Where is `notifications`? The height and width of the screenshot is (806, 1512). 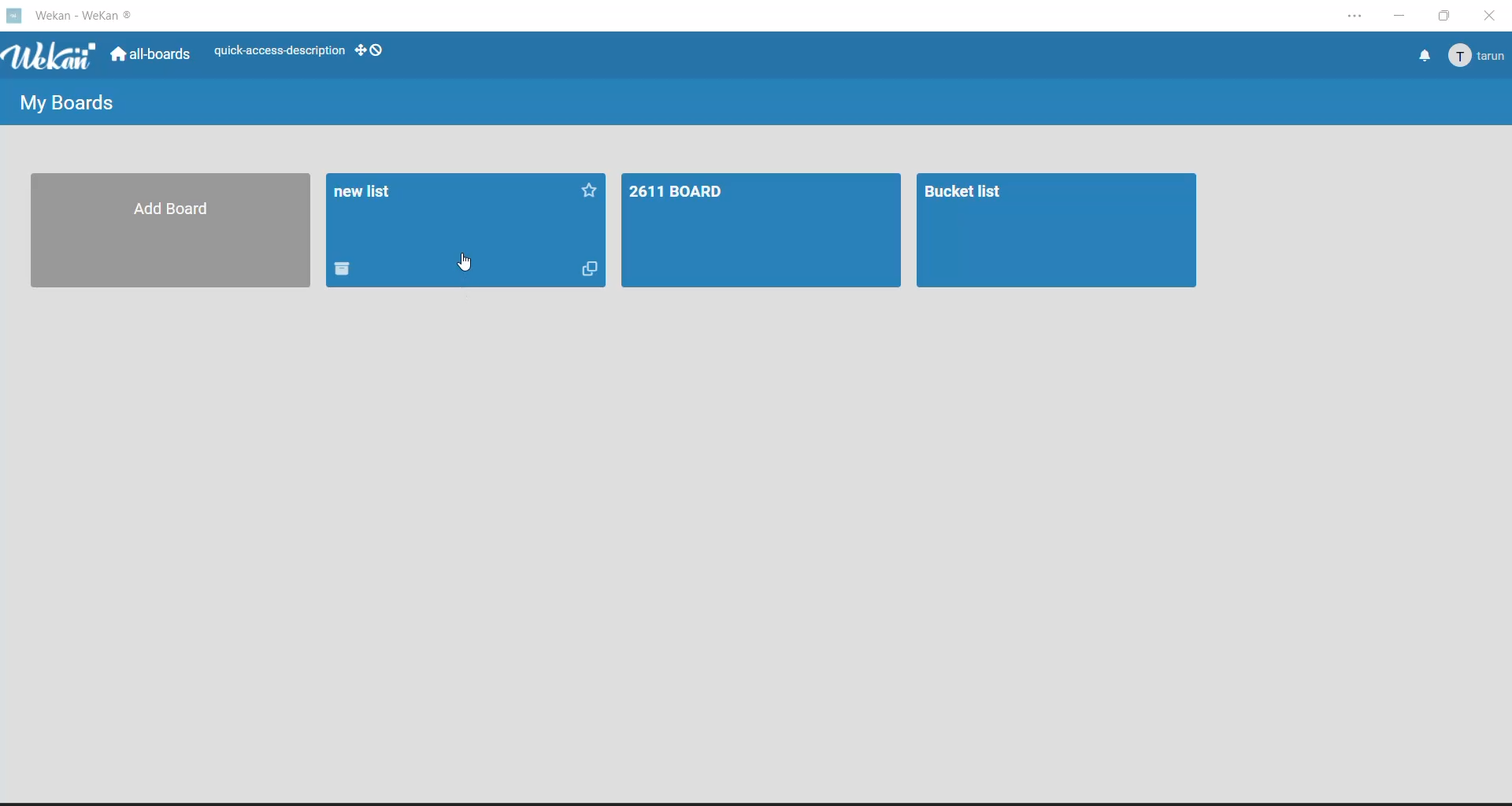 notifications is located at coordinates (1421, 54).